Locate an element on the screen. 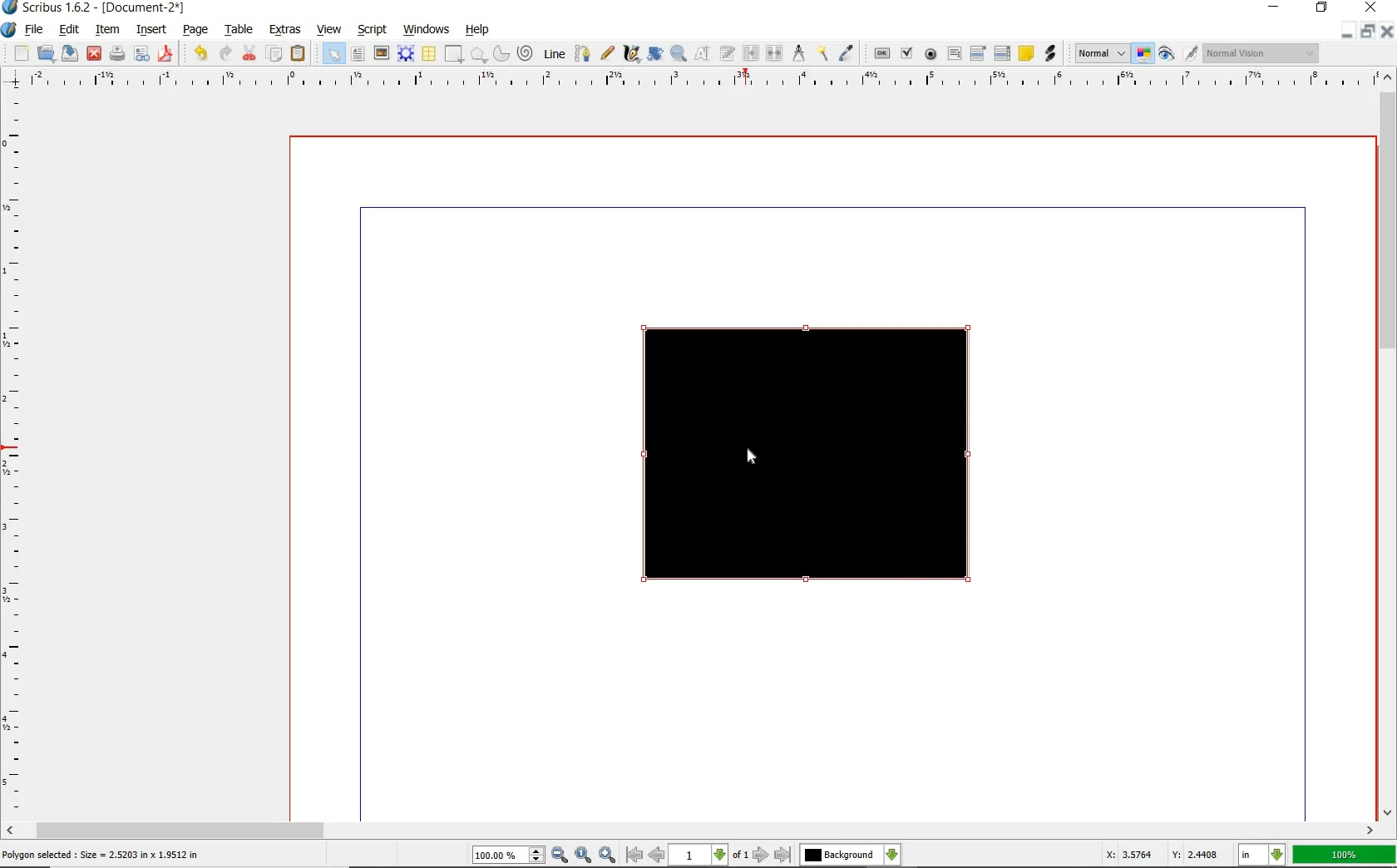 The height and width of the screenshot is (868, 1397). close is located at coordinates (93, 55).